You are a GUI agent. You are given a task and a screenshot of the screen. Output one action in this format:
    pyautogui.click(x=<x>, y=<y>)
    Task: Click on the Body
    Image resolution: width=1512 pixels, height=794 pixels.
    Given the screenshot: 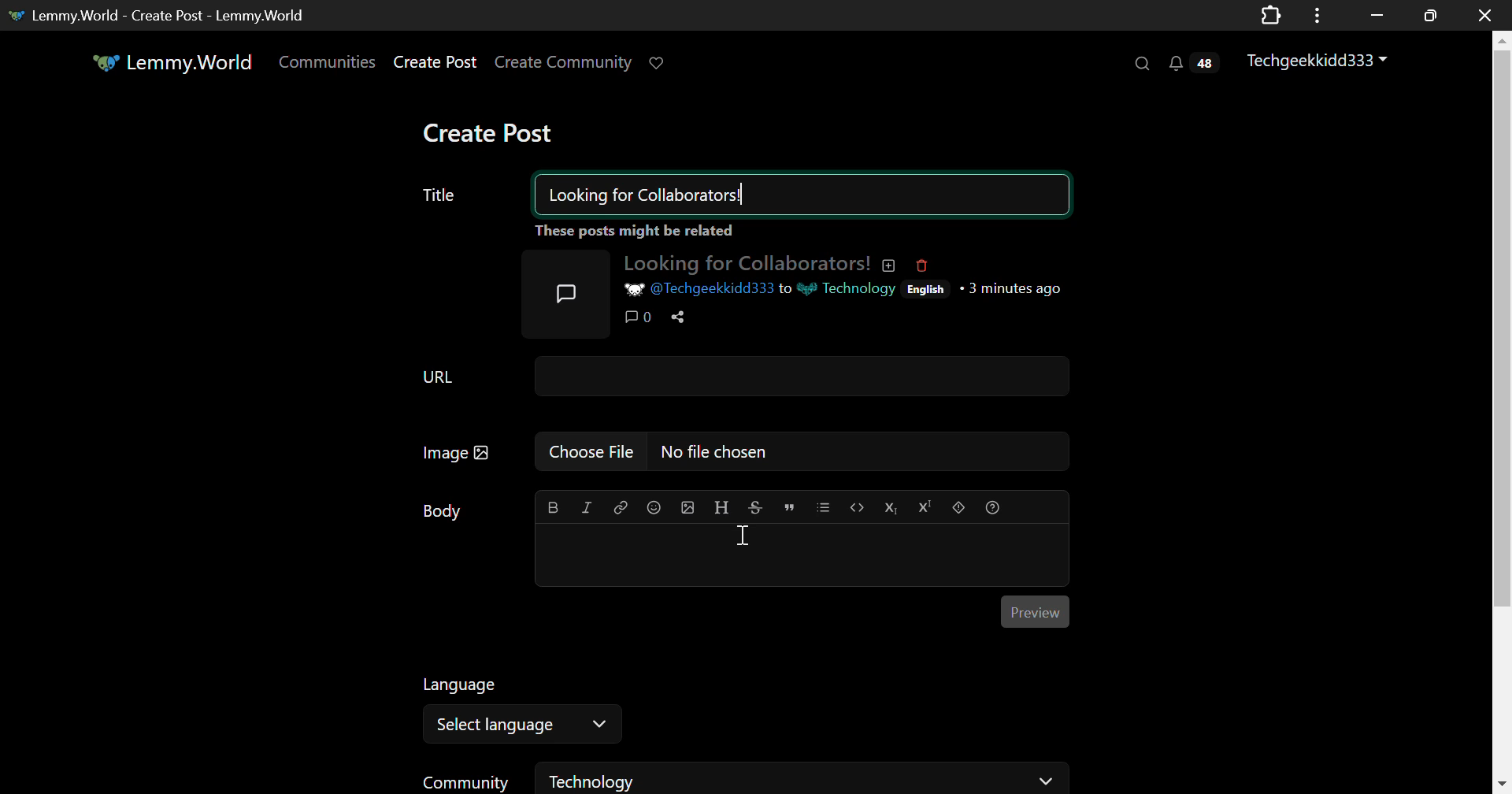 What is the action you would take?
    pyautogui.click(x=445, y=520)
    